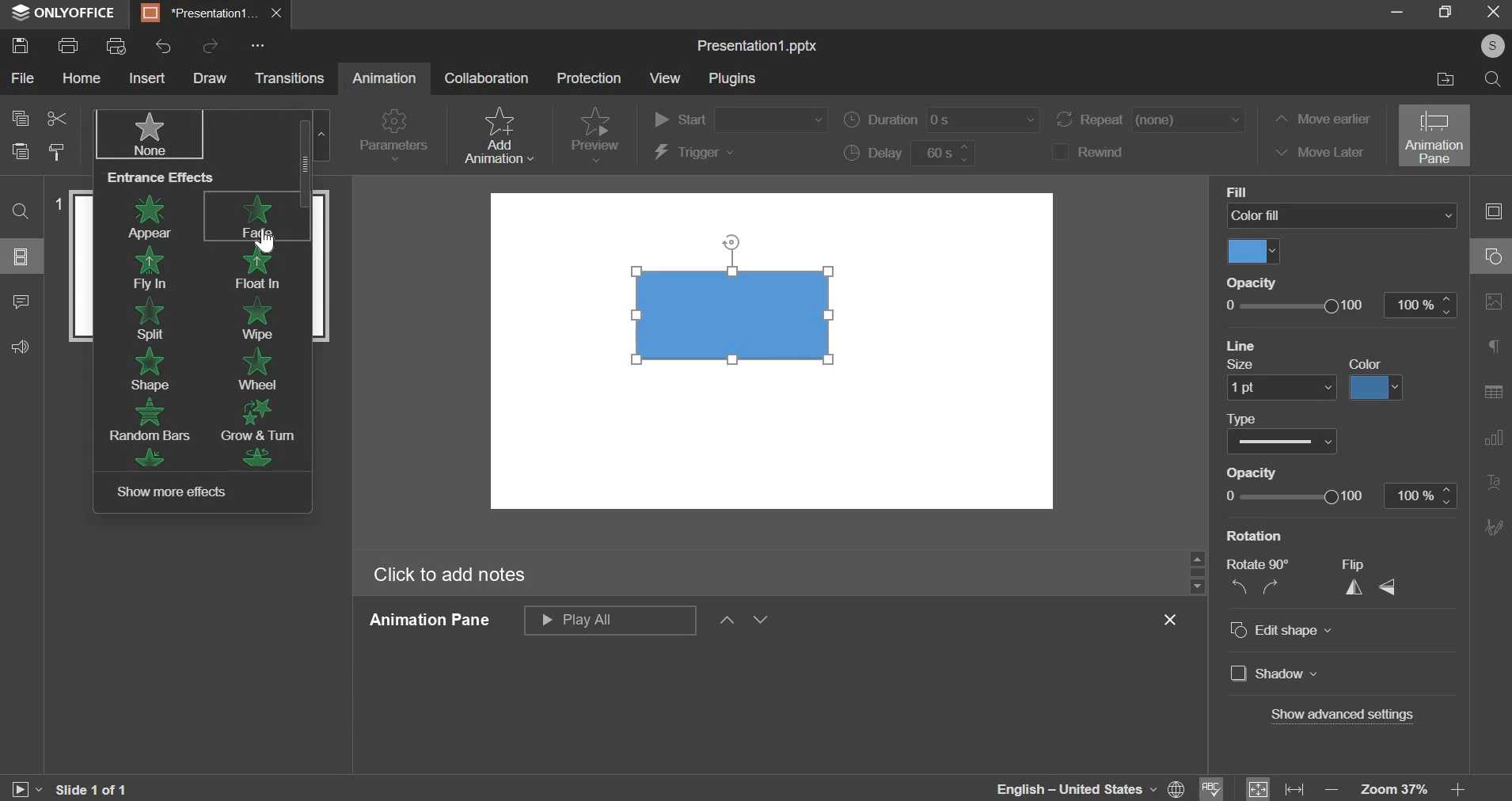  Describe the element at coordinates (1152, 120) in the screenshot. I see `repeat` at that location.